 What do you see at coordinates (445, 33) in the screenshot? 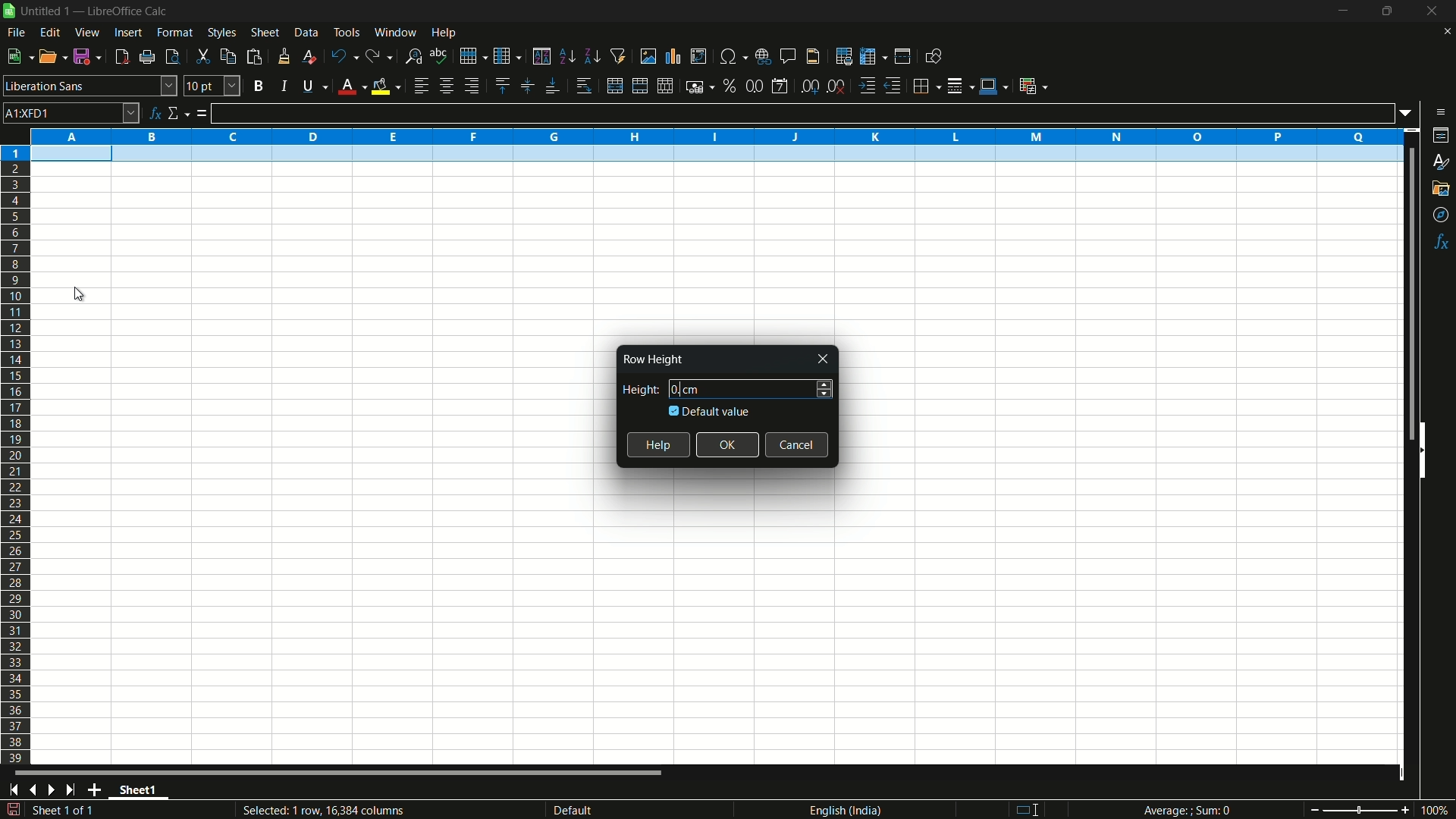
I see `help menu` at bounding box center [445, 33].